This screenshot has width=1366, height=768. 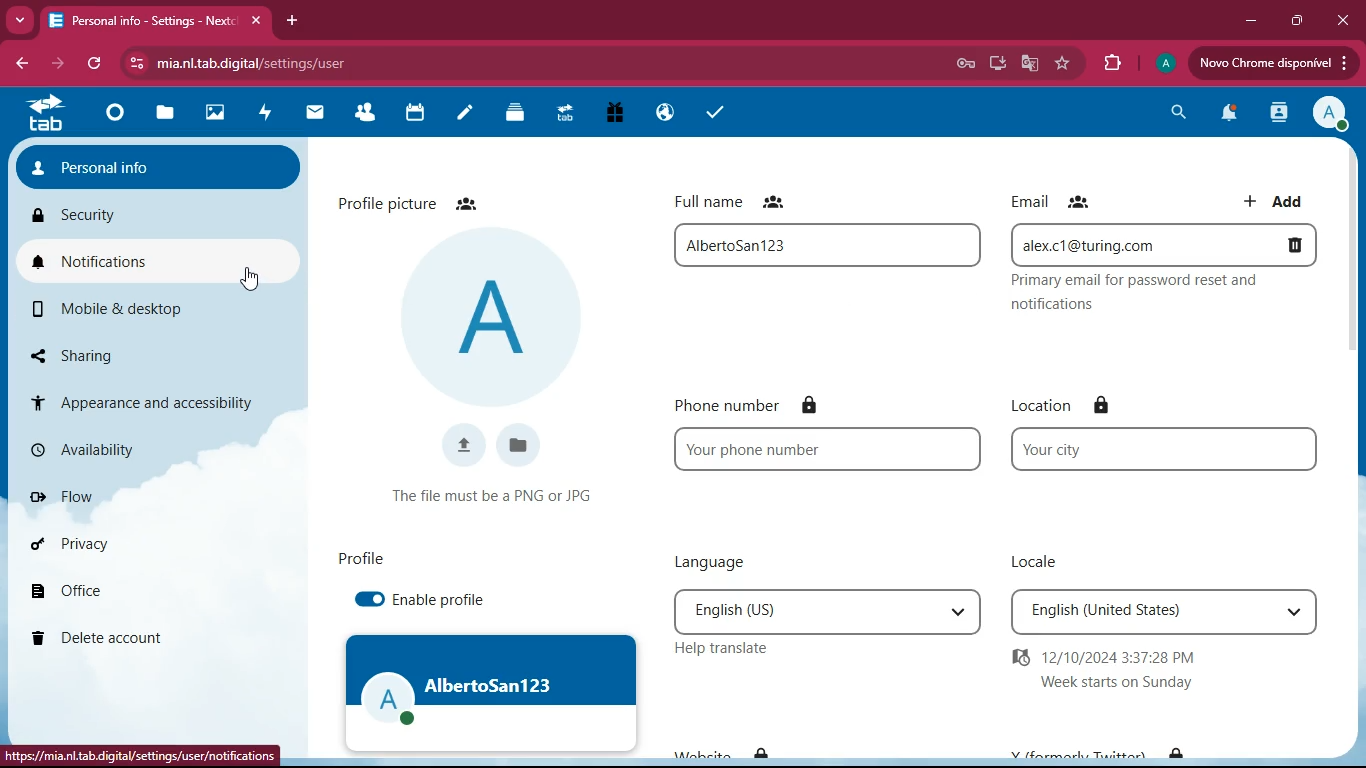 I want to click on language, so click(x=746, y=559).